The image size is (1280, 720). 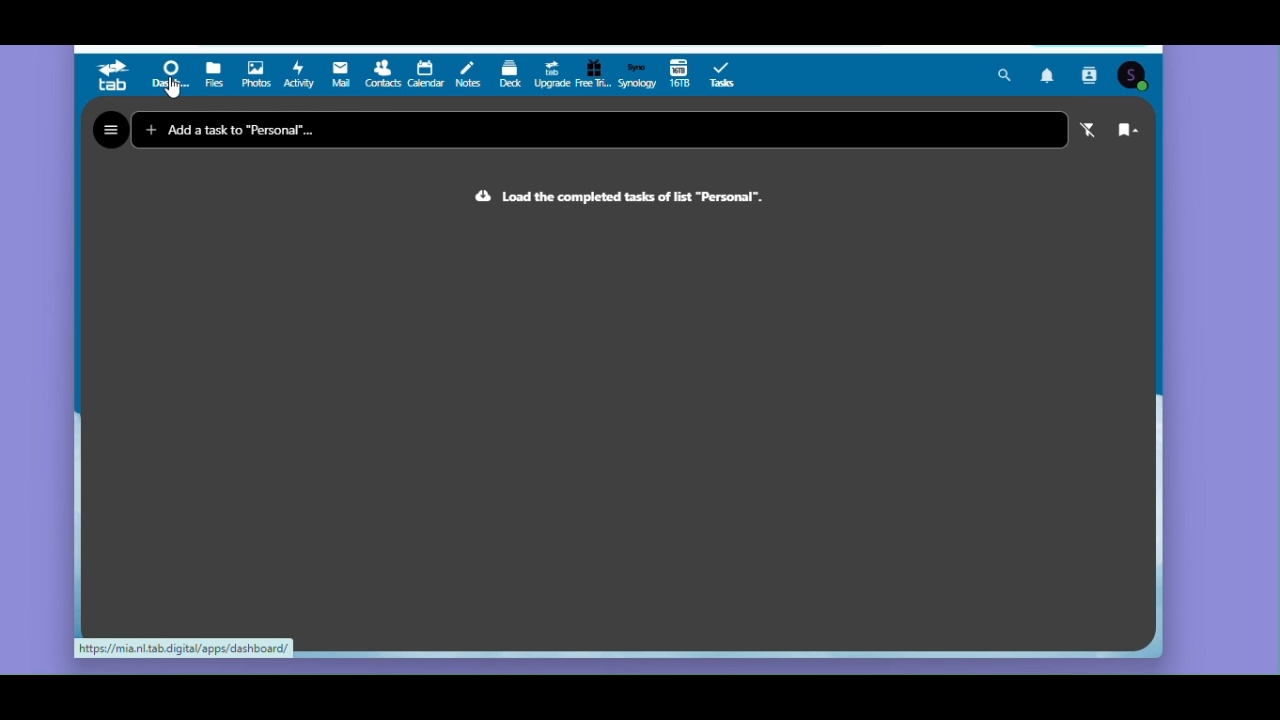 What do you see at coordinates (637, 74) in the screenshot?
I see `Synology` at bounding box center [637, 74].